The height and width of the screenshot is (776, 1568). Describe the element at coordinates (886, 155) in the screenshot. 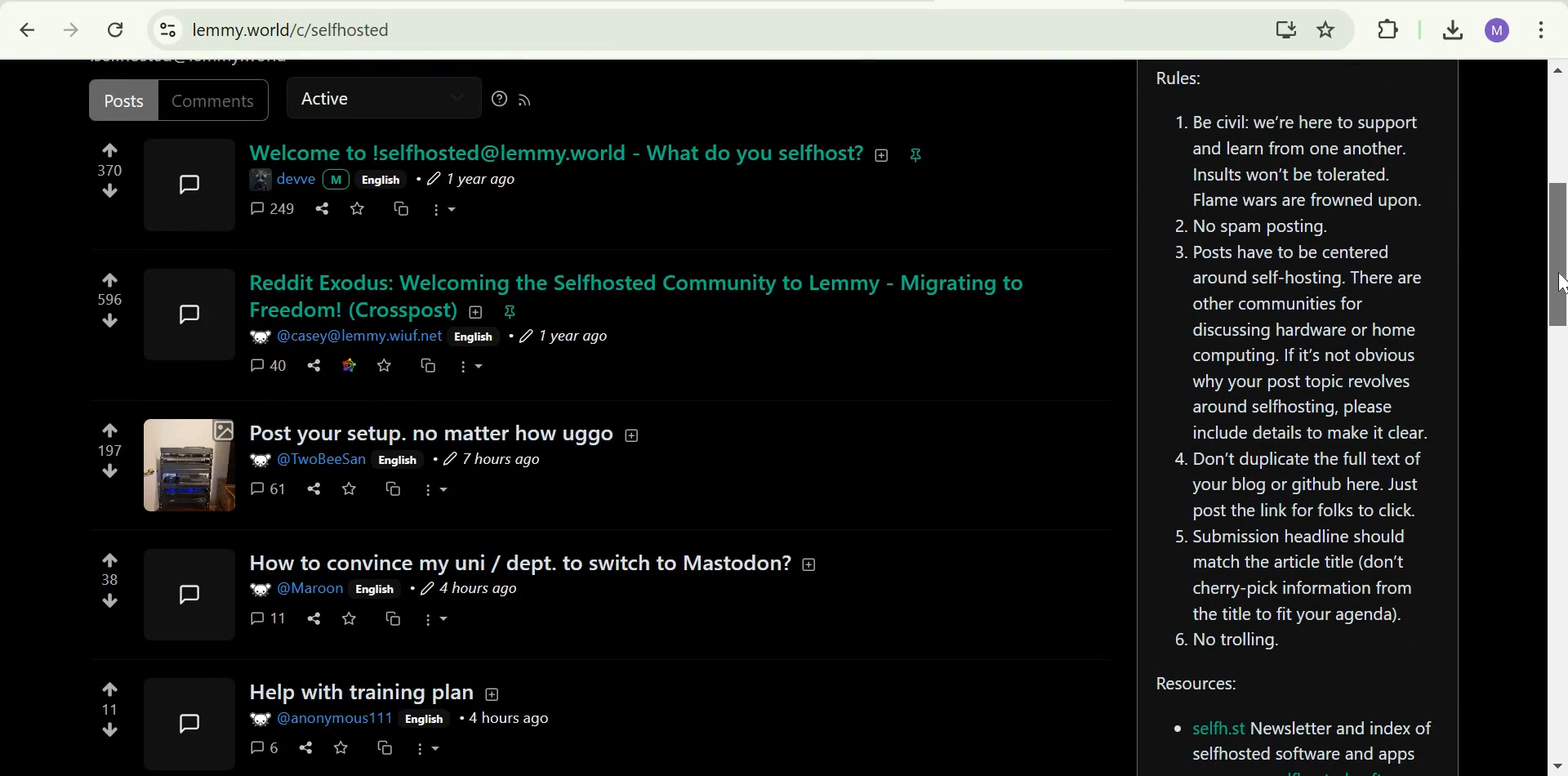

I see `collapse` at that location.